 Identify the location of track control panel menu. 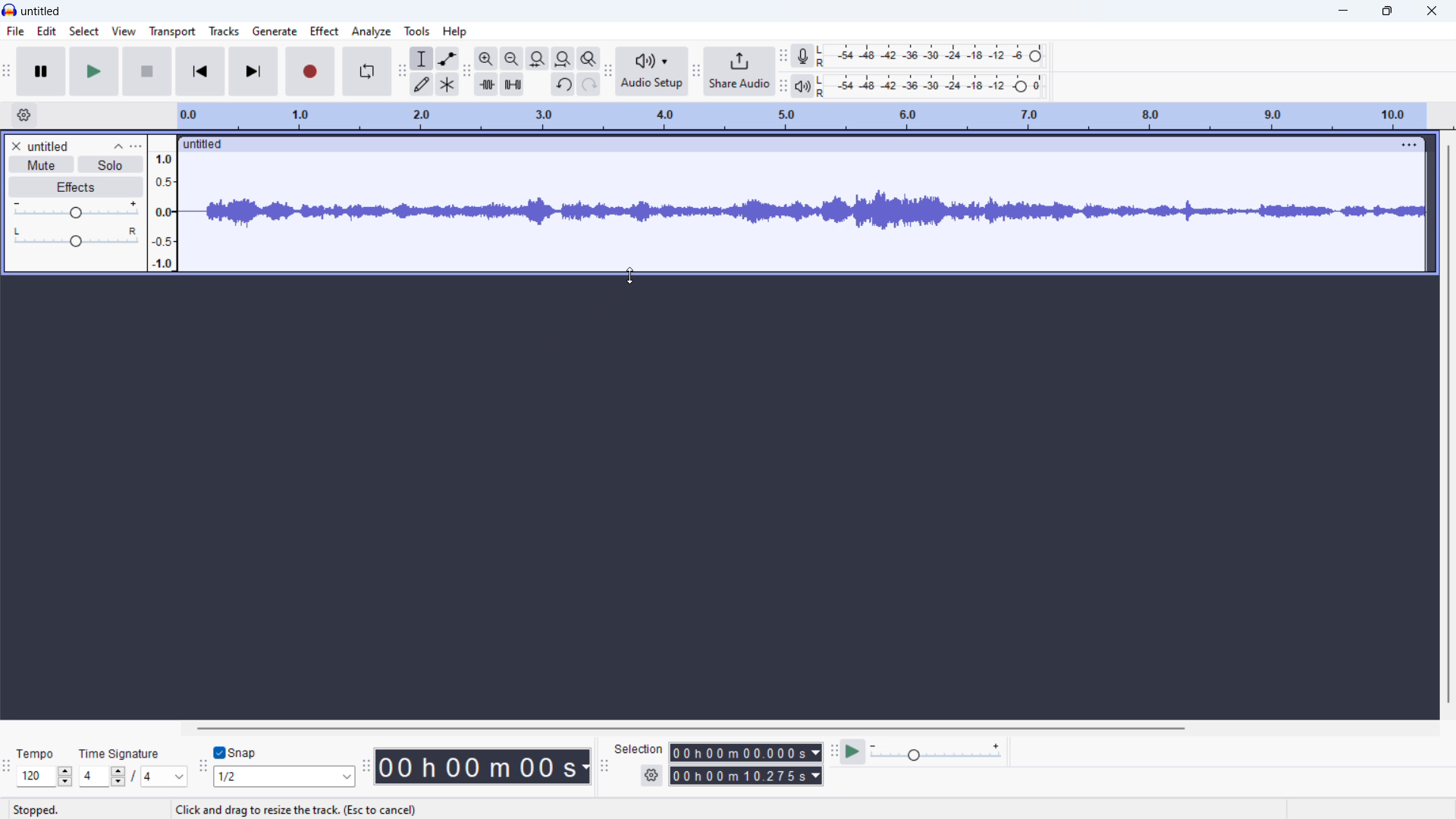
(136, 146).